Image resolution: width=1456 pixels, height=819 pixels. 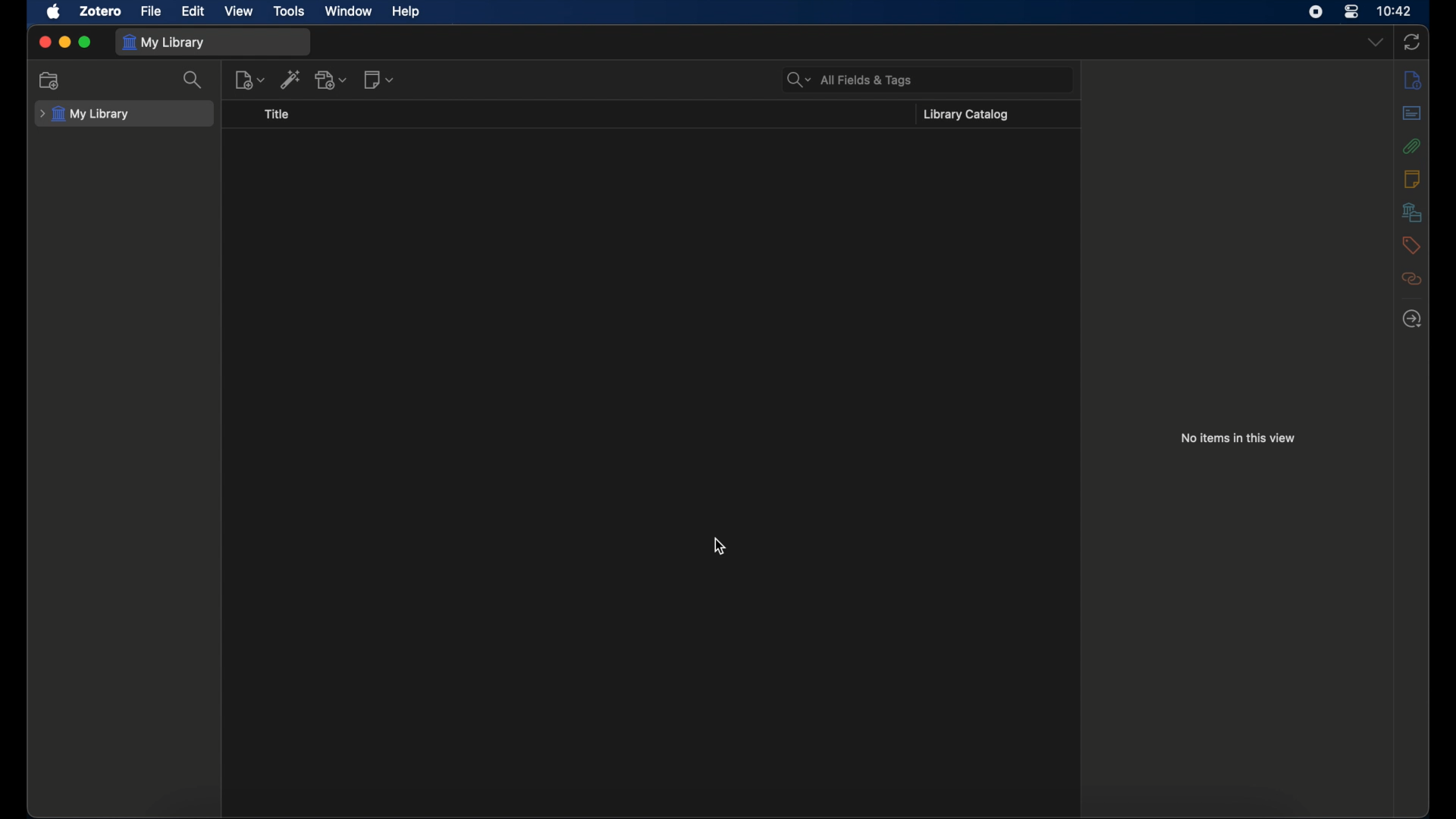 I want to click on new item, so click(x=250, y=80).